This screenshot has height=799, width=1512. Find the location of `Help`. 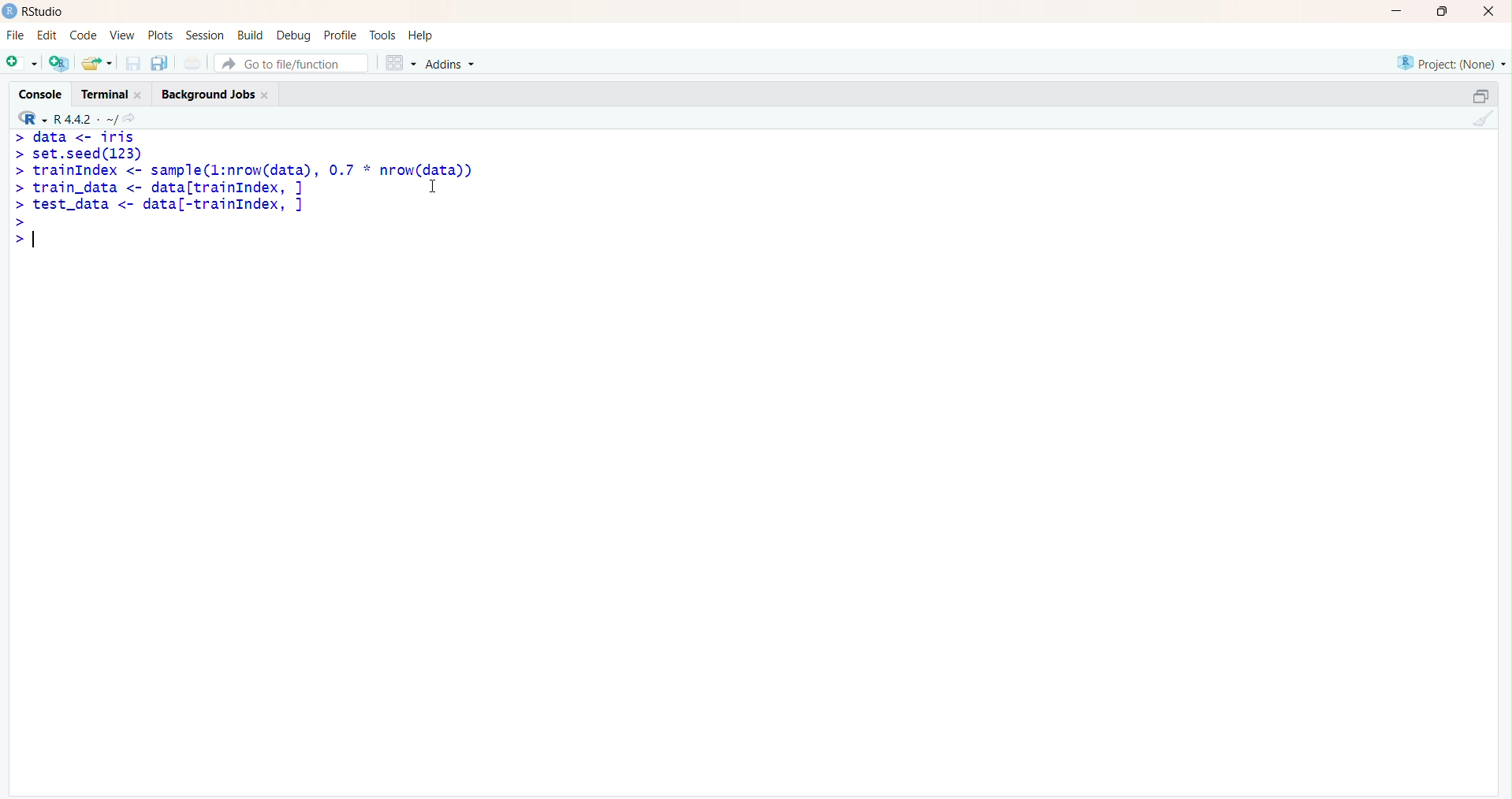

Help is located at coordinates (422, 36).